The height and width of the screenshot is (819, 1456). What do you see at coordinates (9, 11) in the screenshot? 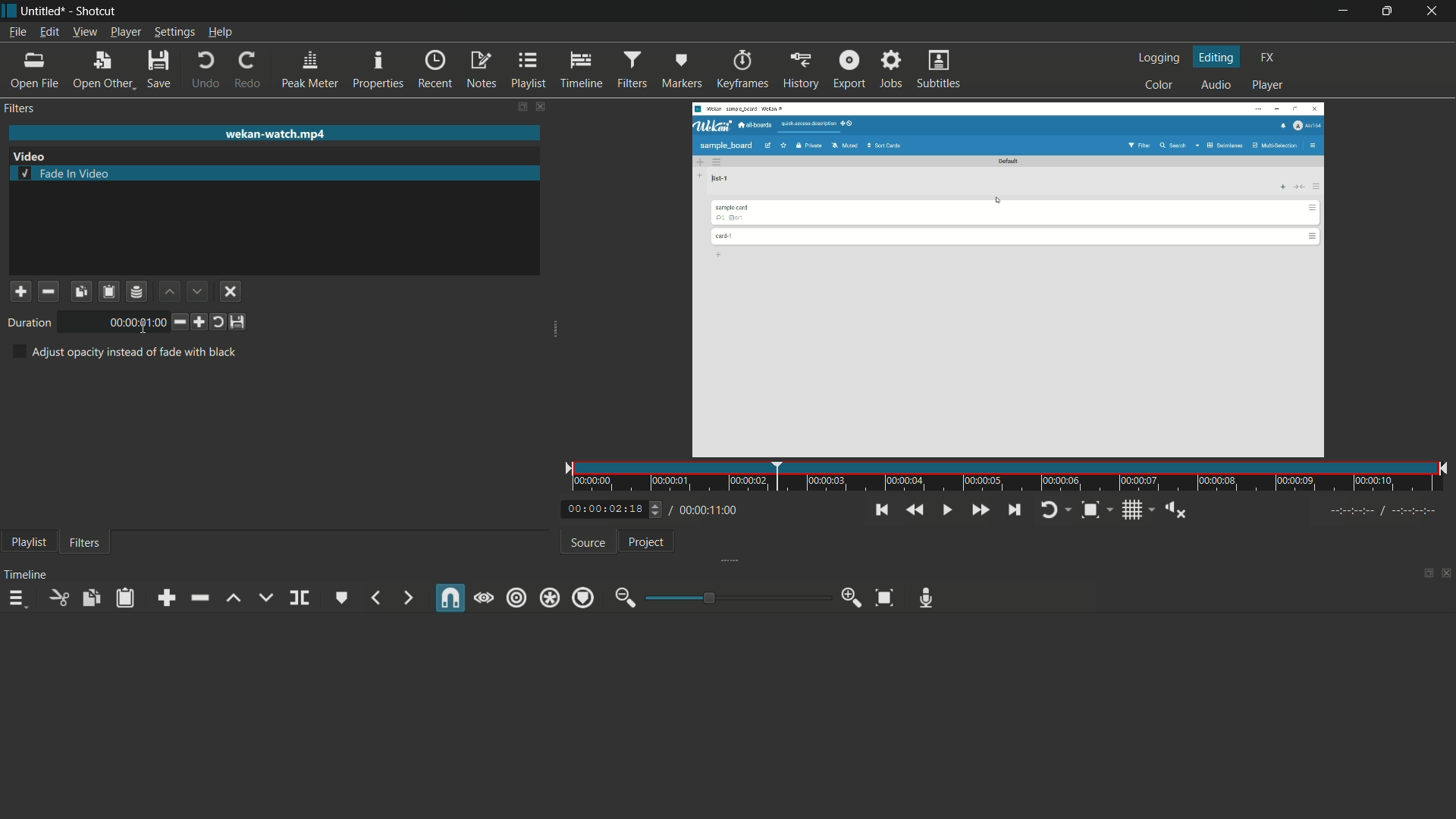
I see `app icon` at bounding box center [9, 11].